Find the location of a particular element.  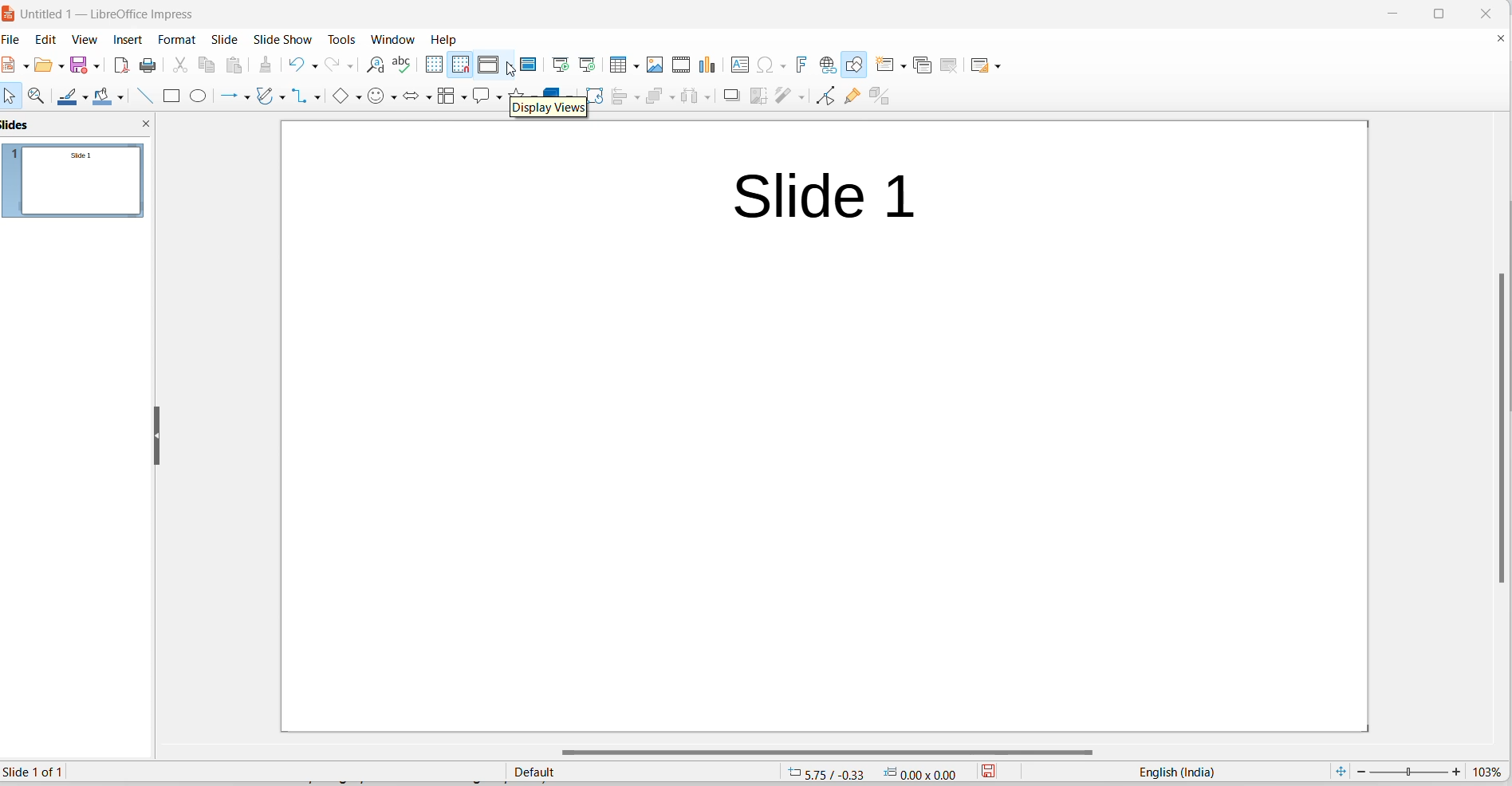

distribute object options is located at coordinates (706, 100).